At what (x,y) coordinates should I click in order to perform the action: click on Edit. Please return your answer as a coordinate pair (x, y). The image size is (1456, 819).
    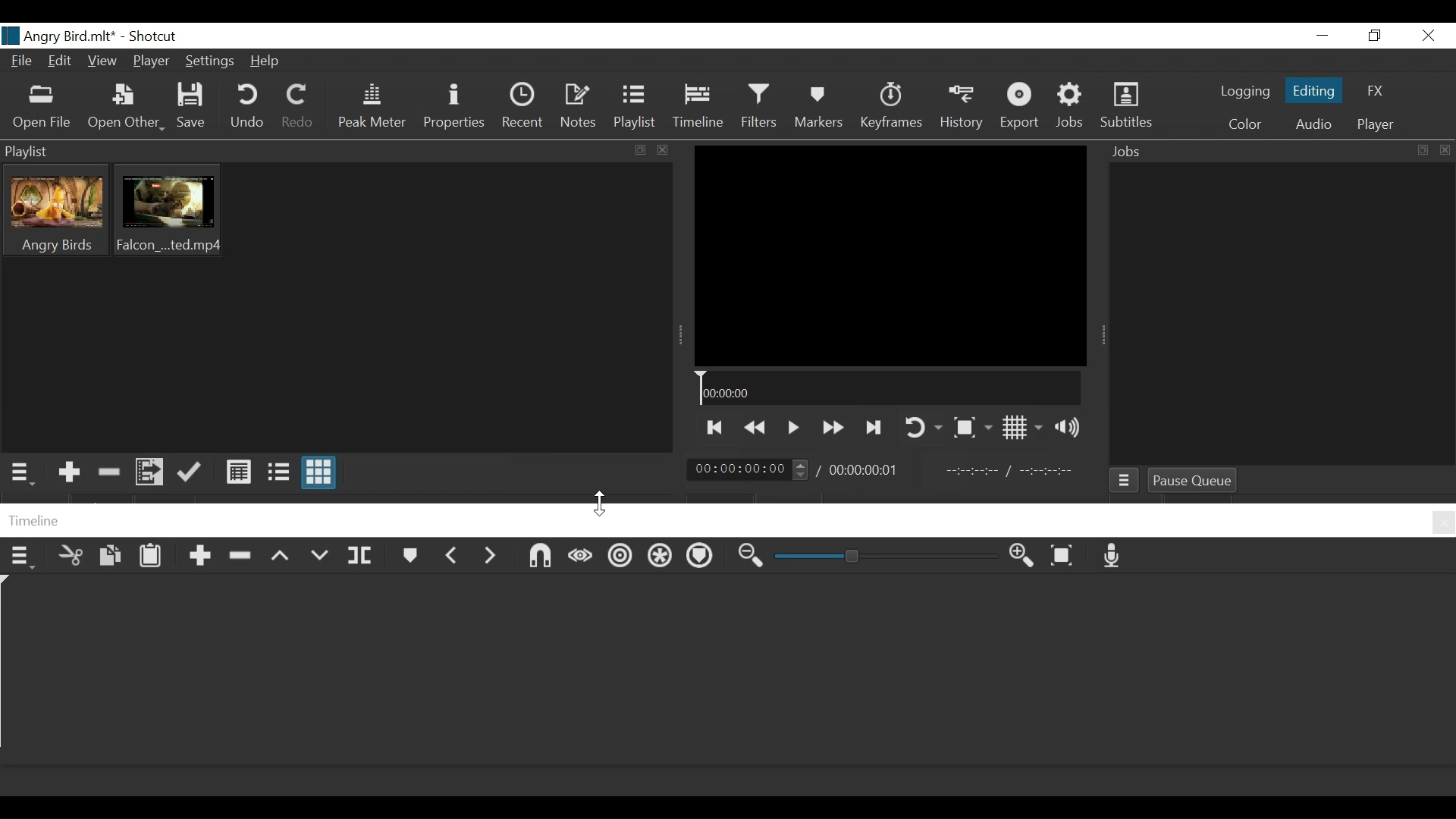
    Looking at the image, I should click on (61, 61).